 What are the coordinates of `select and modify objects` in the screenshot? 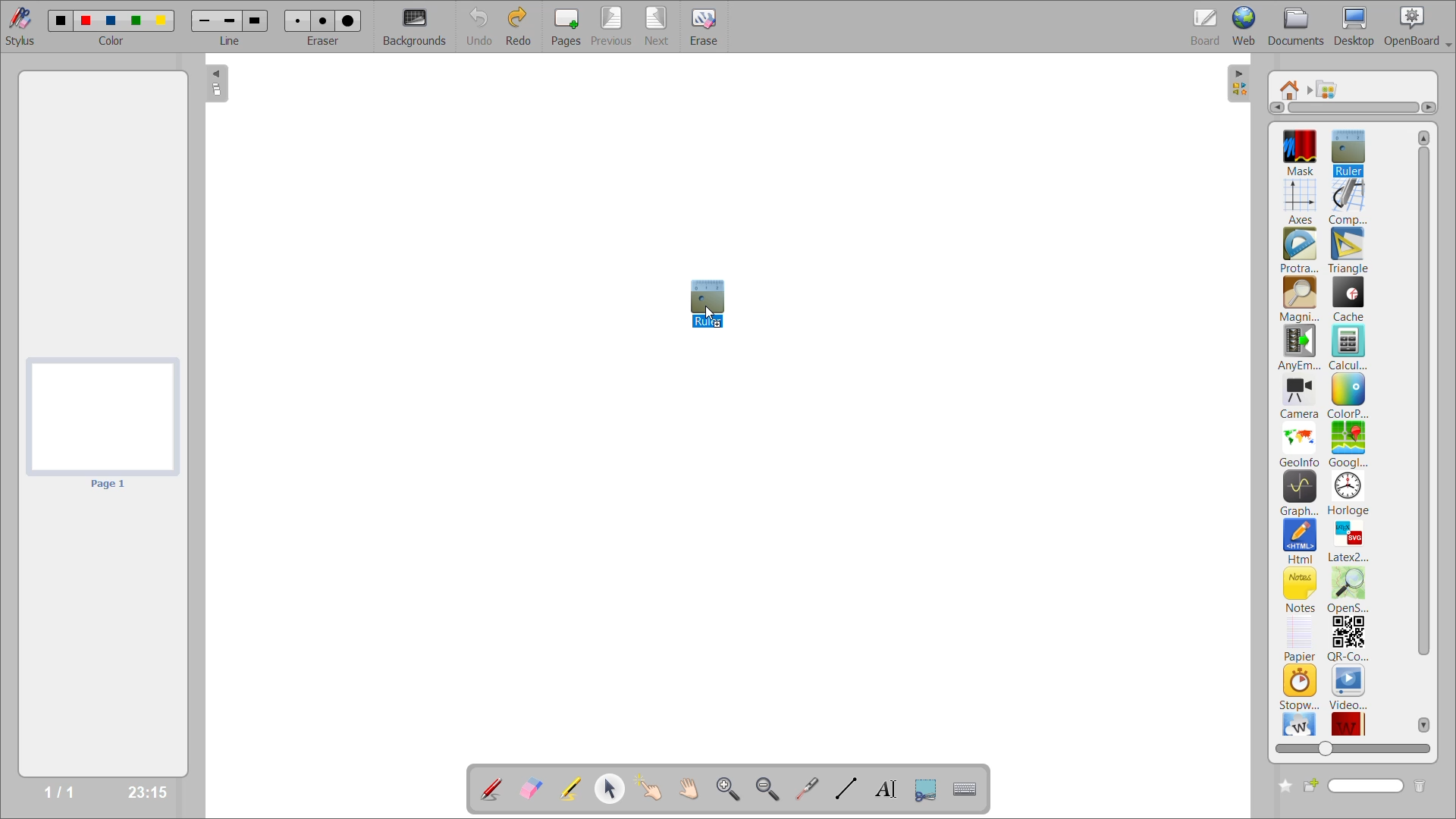 It's located at (613, 789).